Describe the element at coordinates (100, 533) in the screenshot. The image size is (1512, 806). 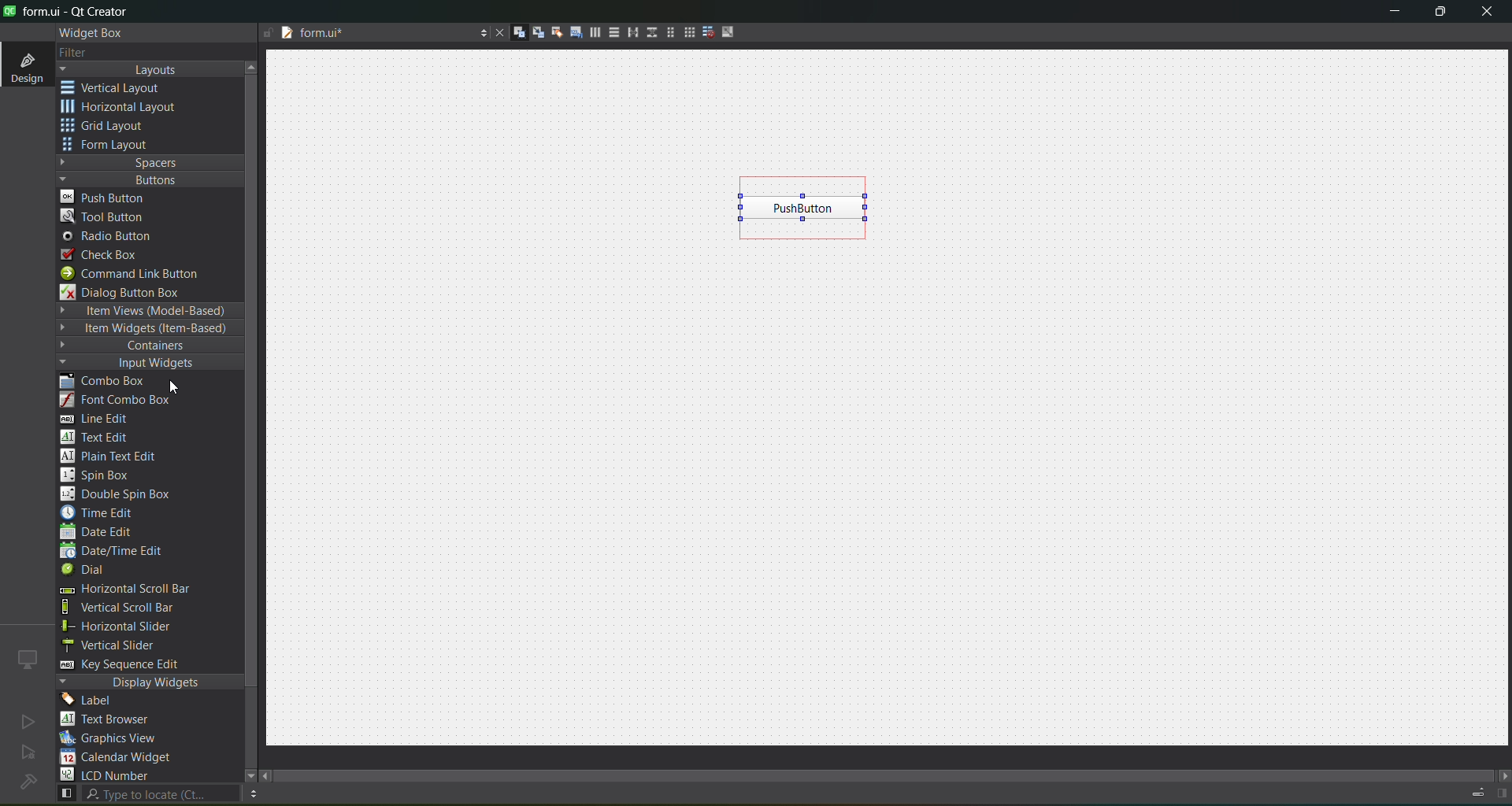
I see `date edit` at that location.